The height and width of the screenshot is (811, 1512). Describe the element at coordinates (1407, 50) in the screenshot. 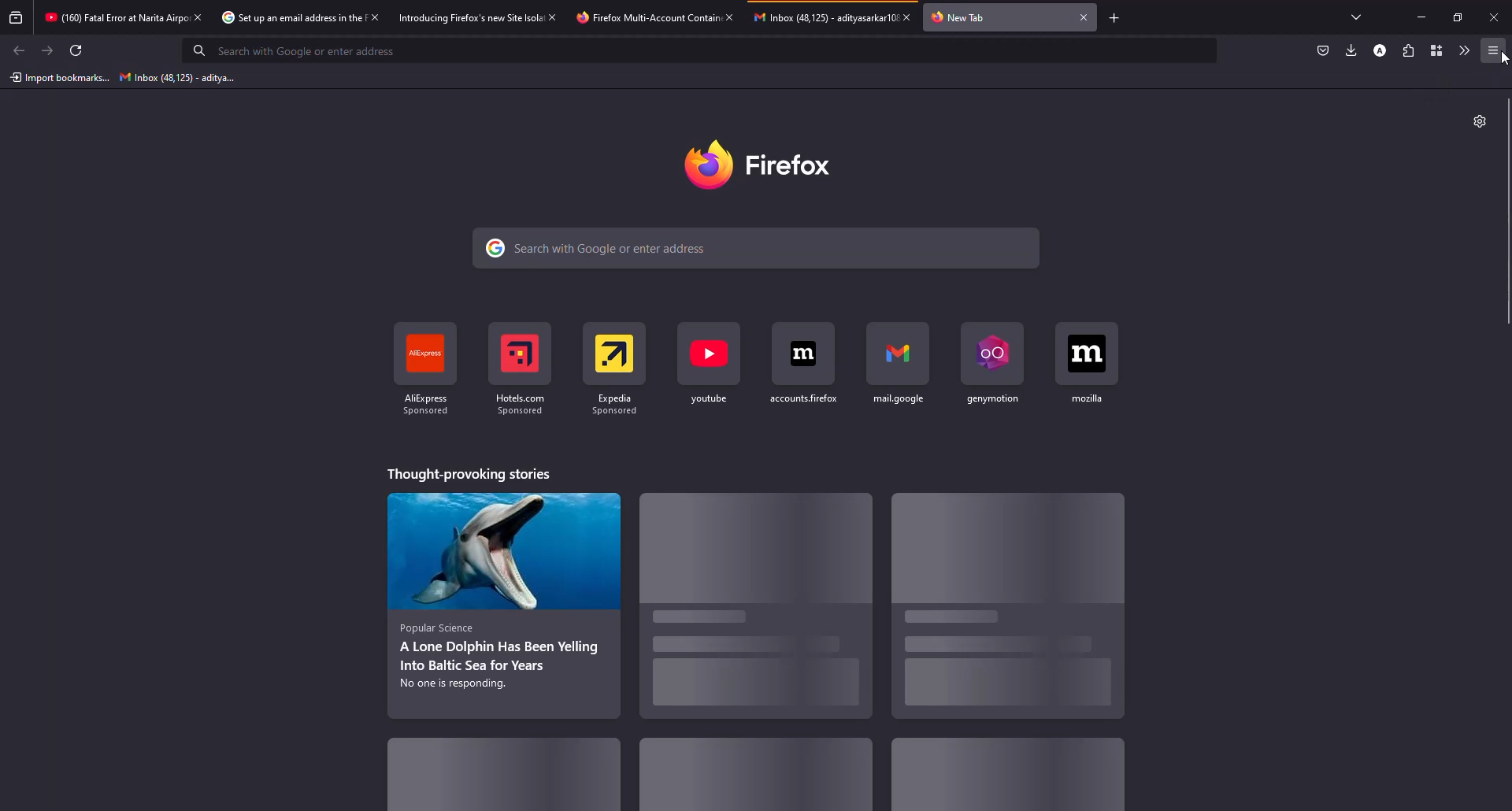

I see `extensions` at that location.